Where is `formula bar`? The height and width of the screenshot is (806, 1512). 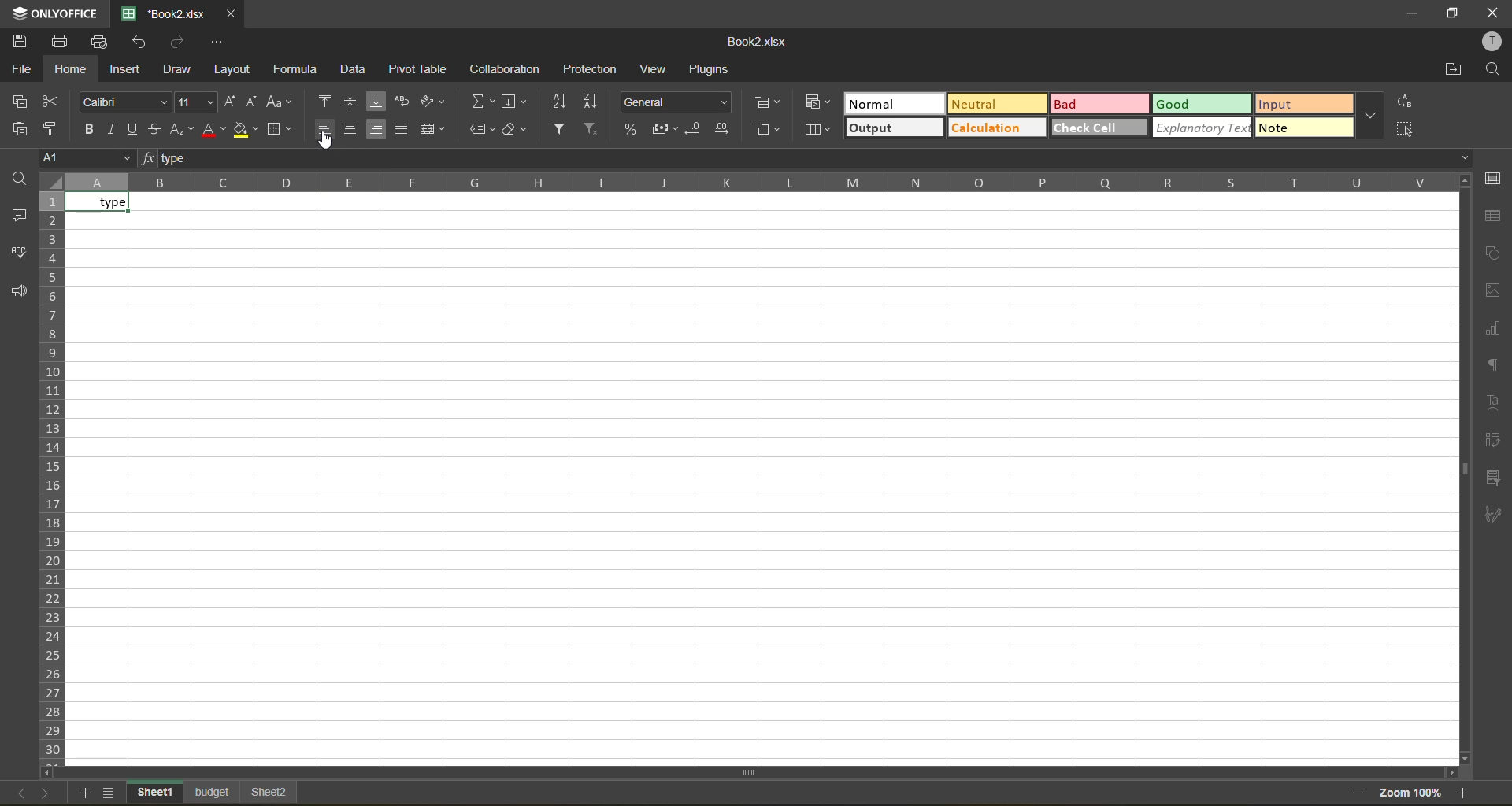
formula bar is located at coordinates (813, 159).